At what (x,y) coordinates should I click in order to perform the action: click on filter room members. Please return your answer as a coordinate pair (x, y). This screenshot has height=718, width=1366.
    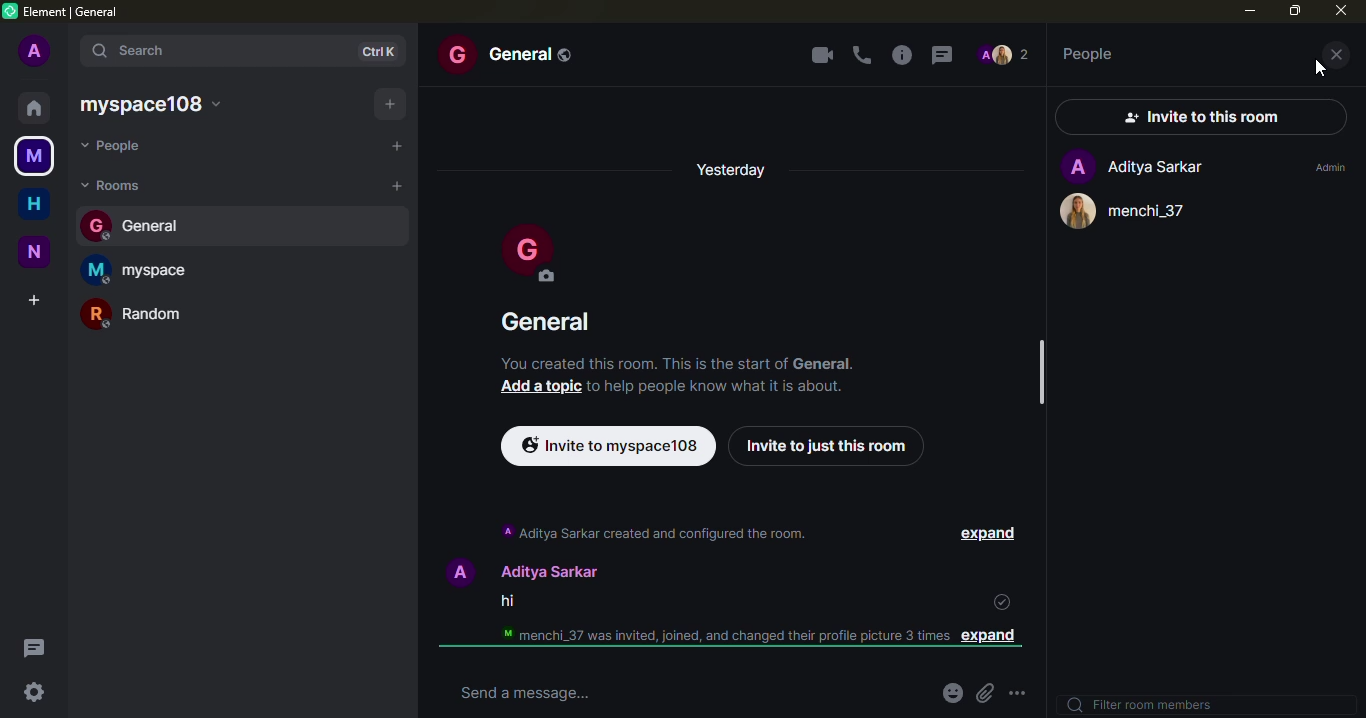
    Looking at the image, I should click on (1143, 704).